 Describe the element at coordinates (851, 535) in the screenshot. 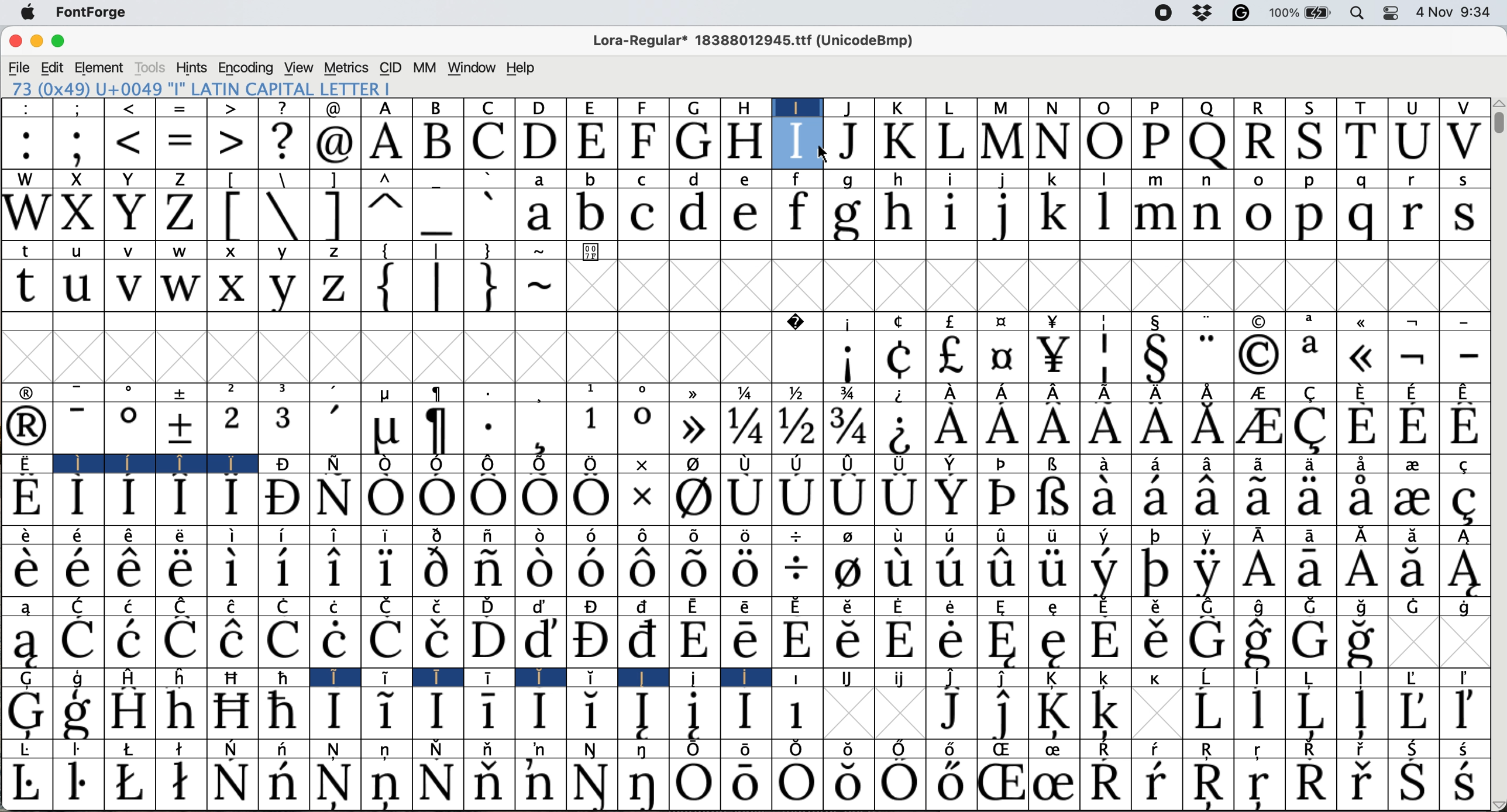

I see `Symbol` at that location.